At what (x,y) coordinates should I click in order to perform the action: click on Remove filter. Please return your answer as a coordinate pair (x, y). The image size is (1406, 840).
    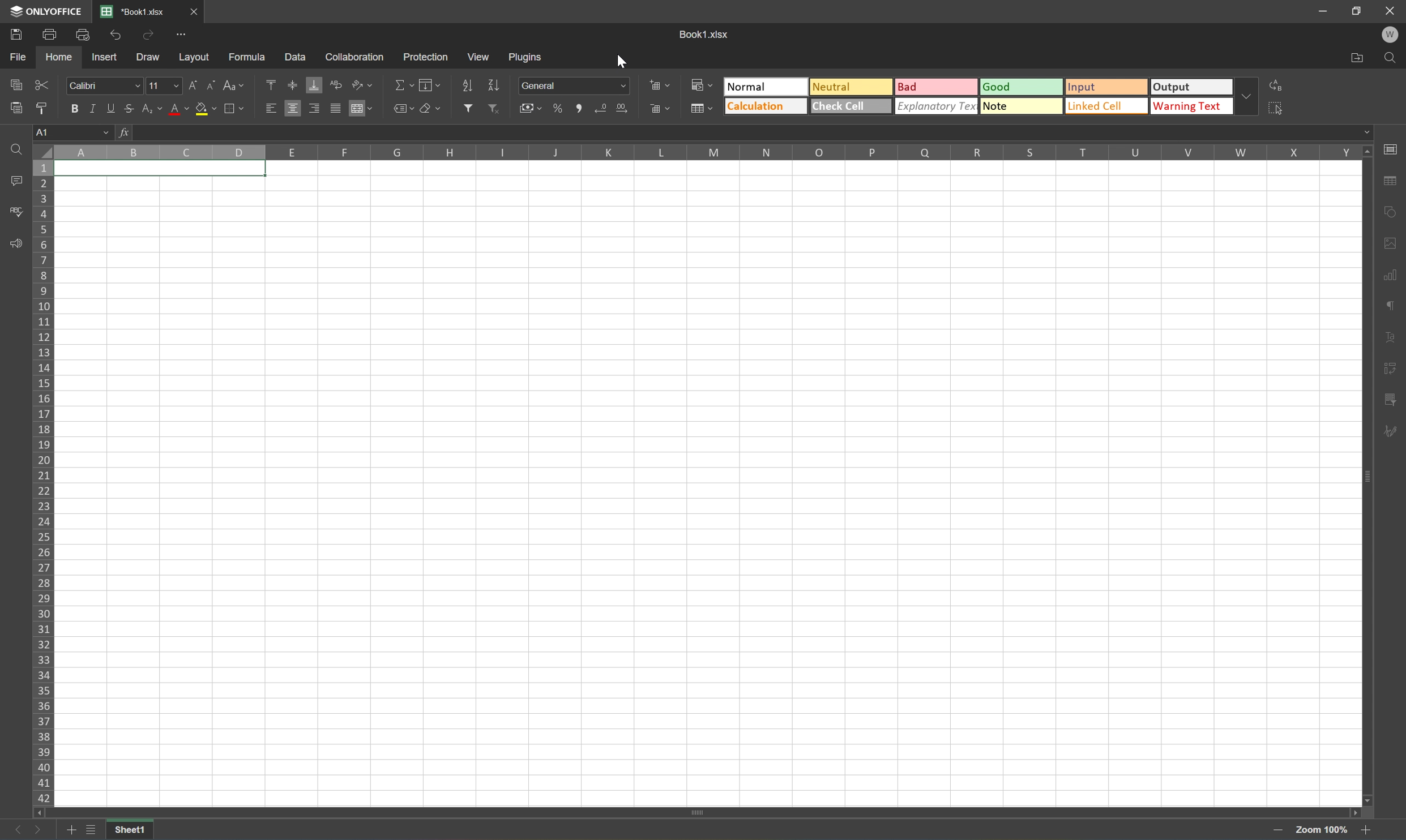
    Looking at the image, I should click on (493, 108).